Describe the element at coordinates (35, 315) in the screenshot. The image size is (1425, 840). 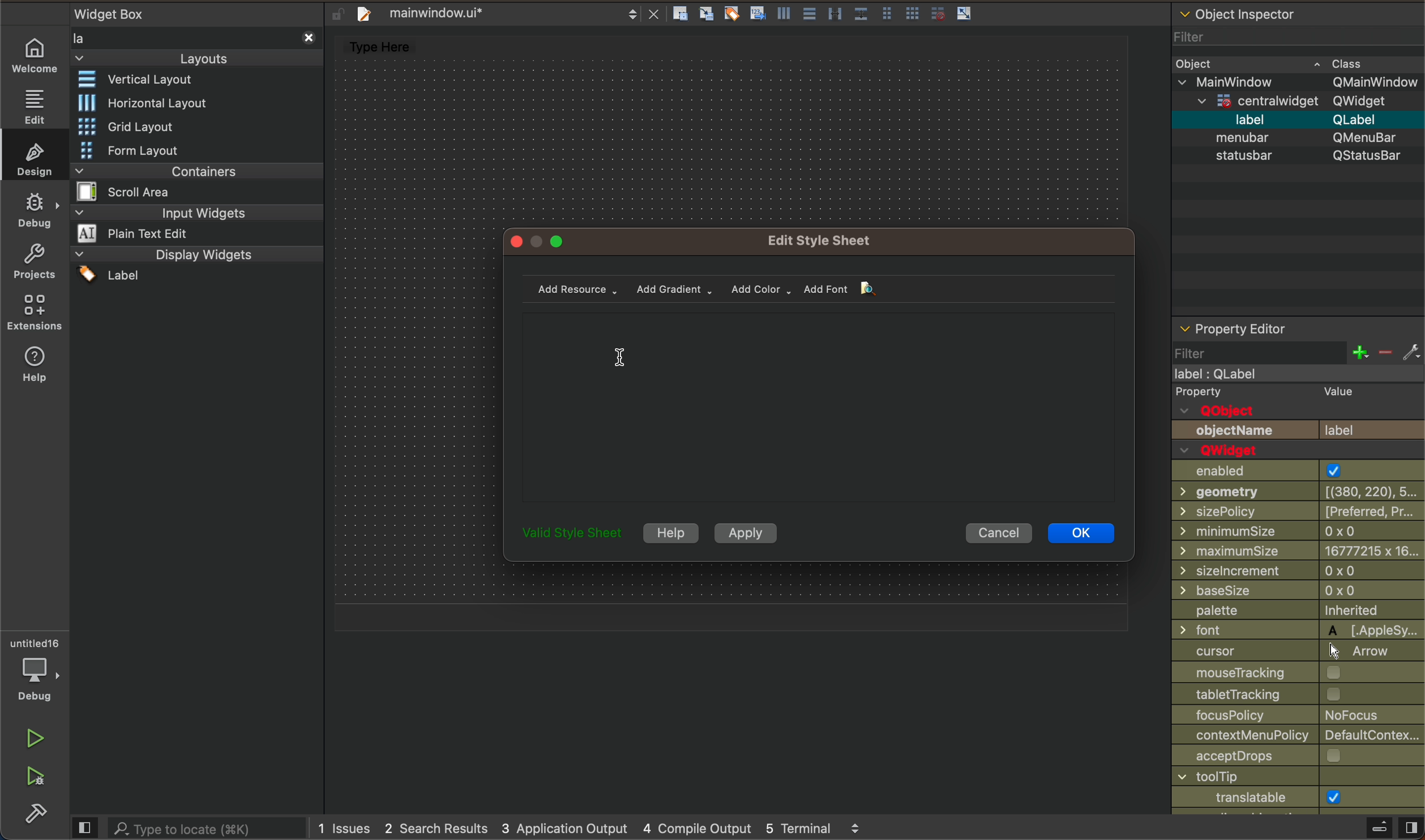
I see `extensions` at that location.